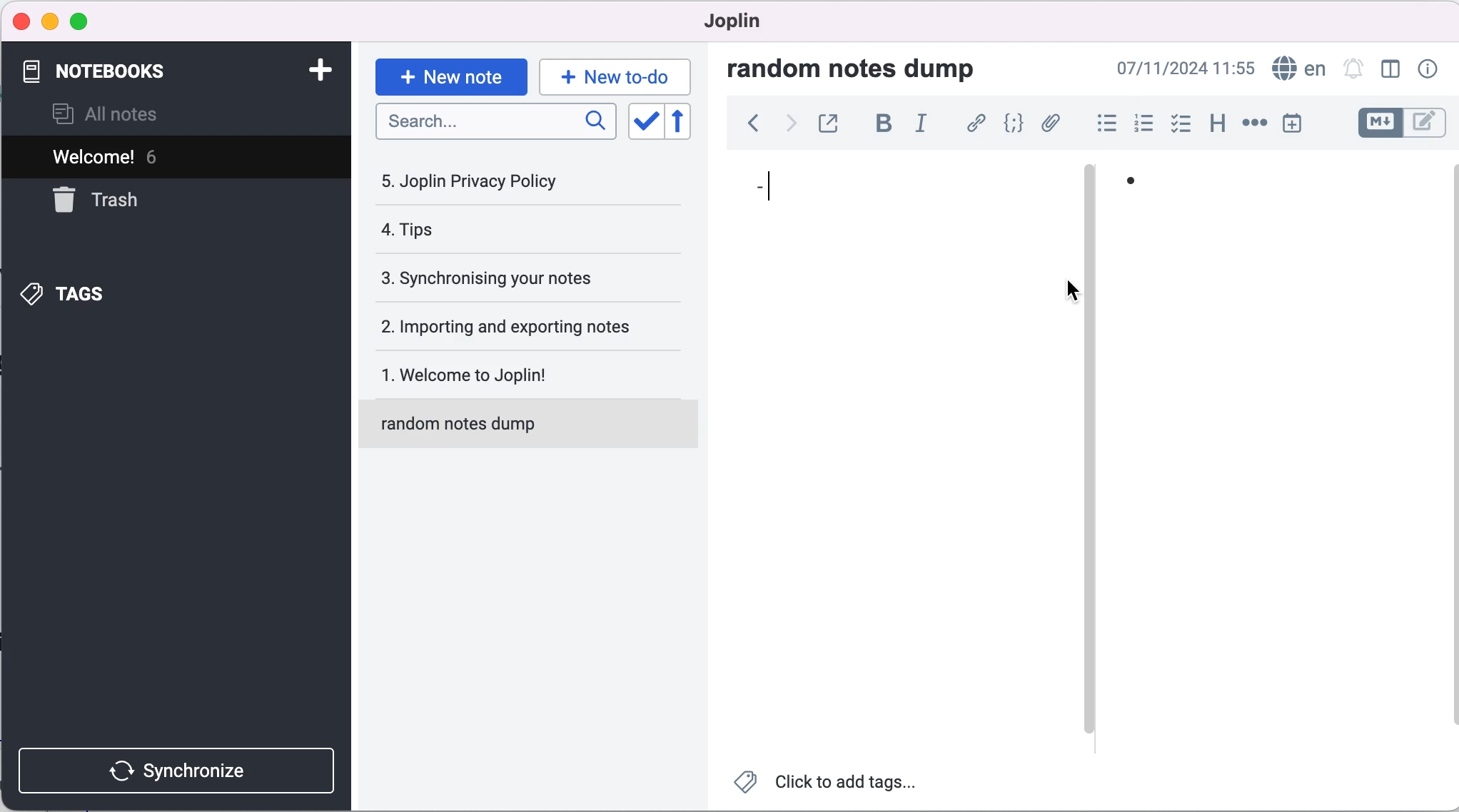  Describe the element at coordinates (1010, 125) in the screenshot. I see `code` at that location.